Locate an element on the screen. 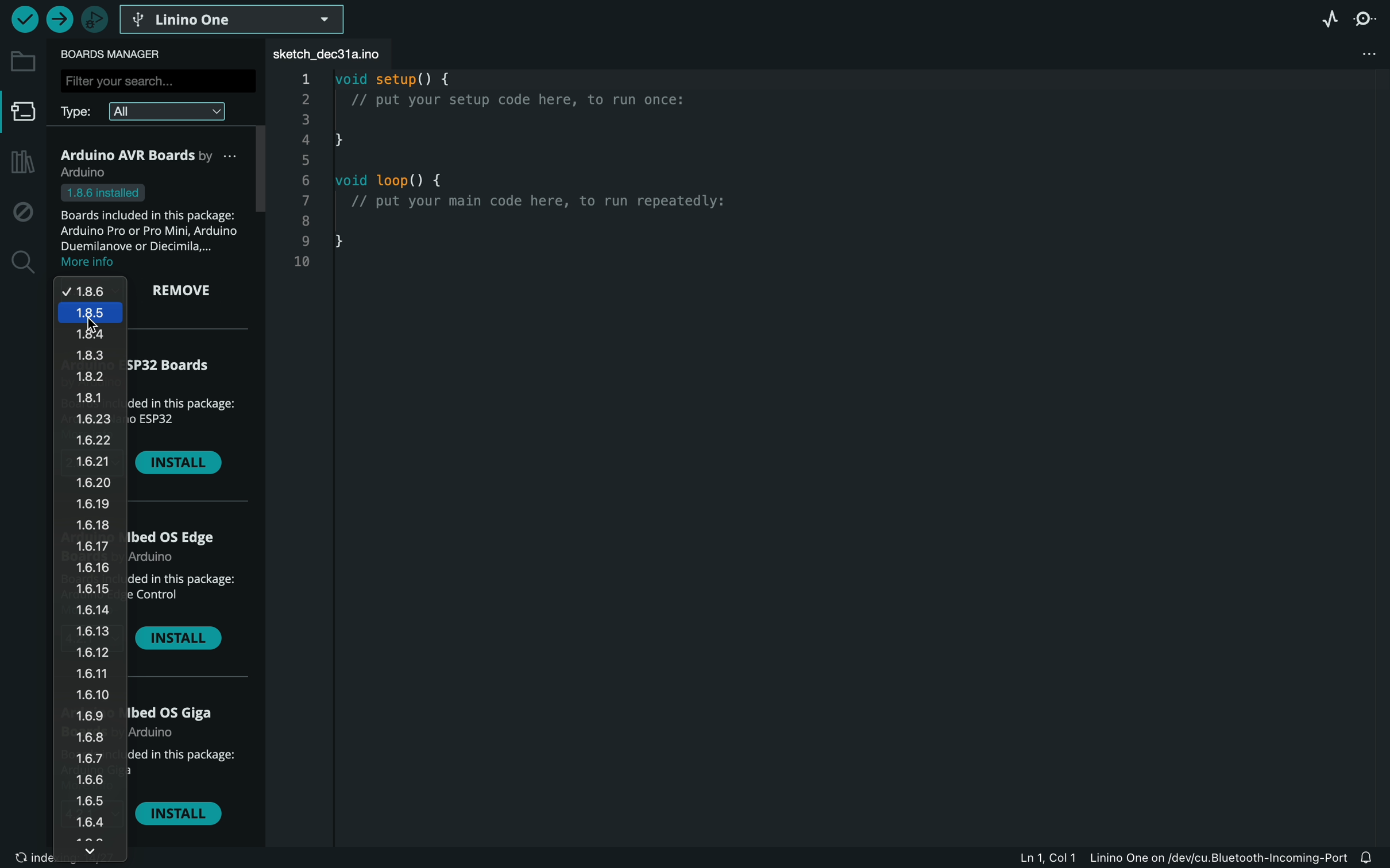 The width and height of the screenshot is (1390, 868). install is located at coordinates (183, 641).